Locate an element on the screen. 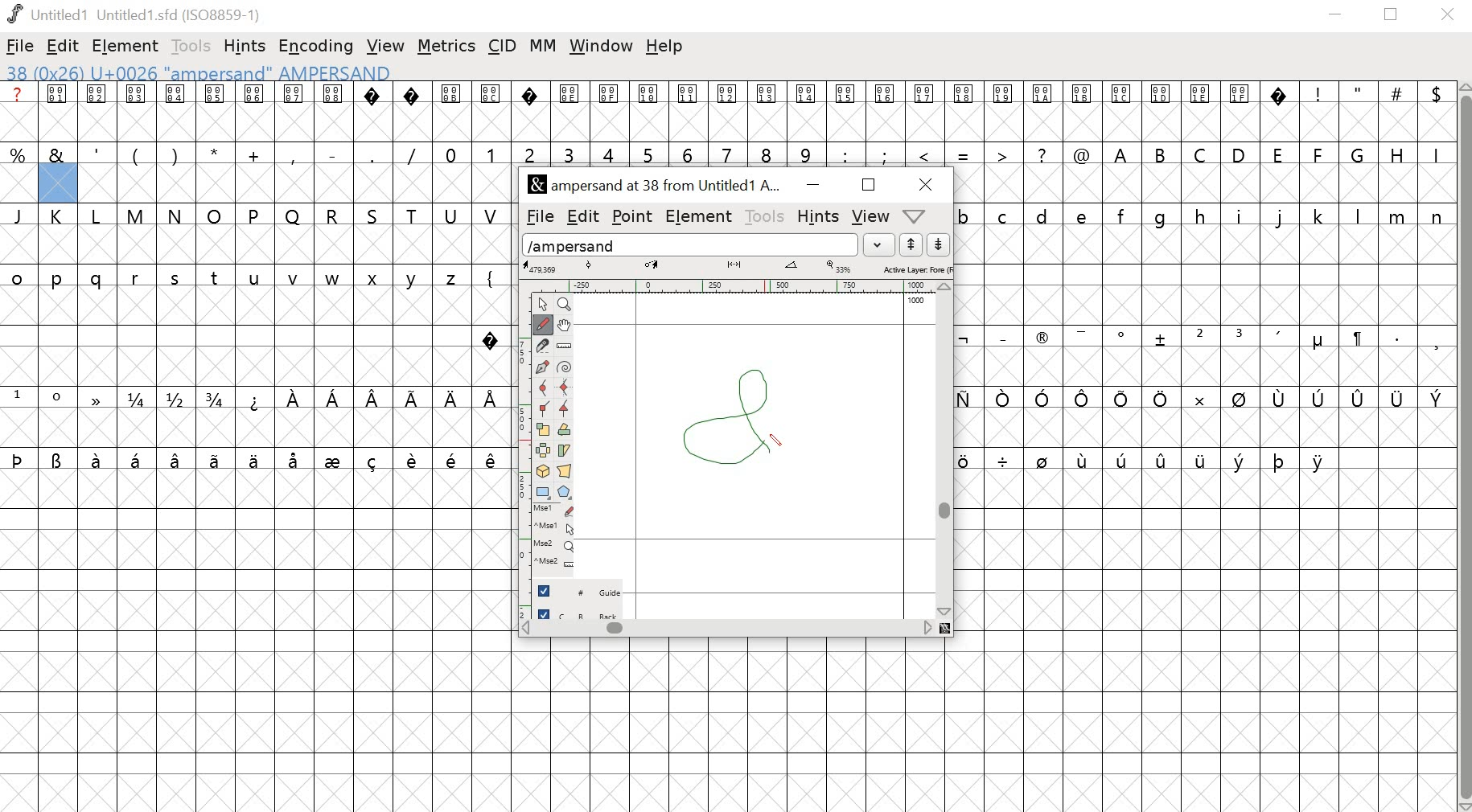 This screenshot has width=1472, height=812. scale the selection is located at coordinates (543, 430).